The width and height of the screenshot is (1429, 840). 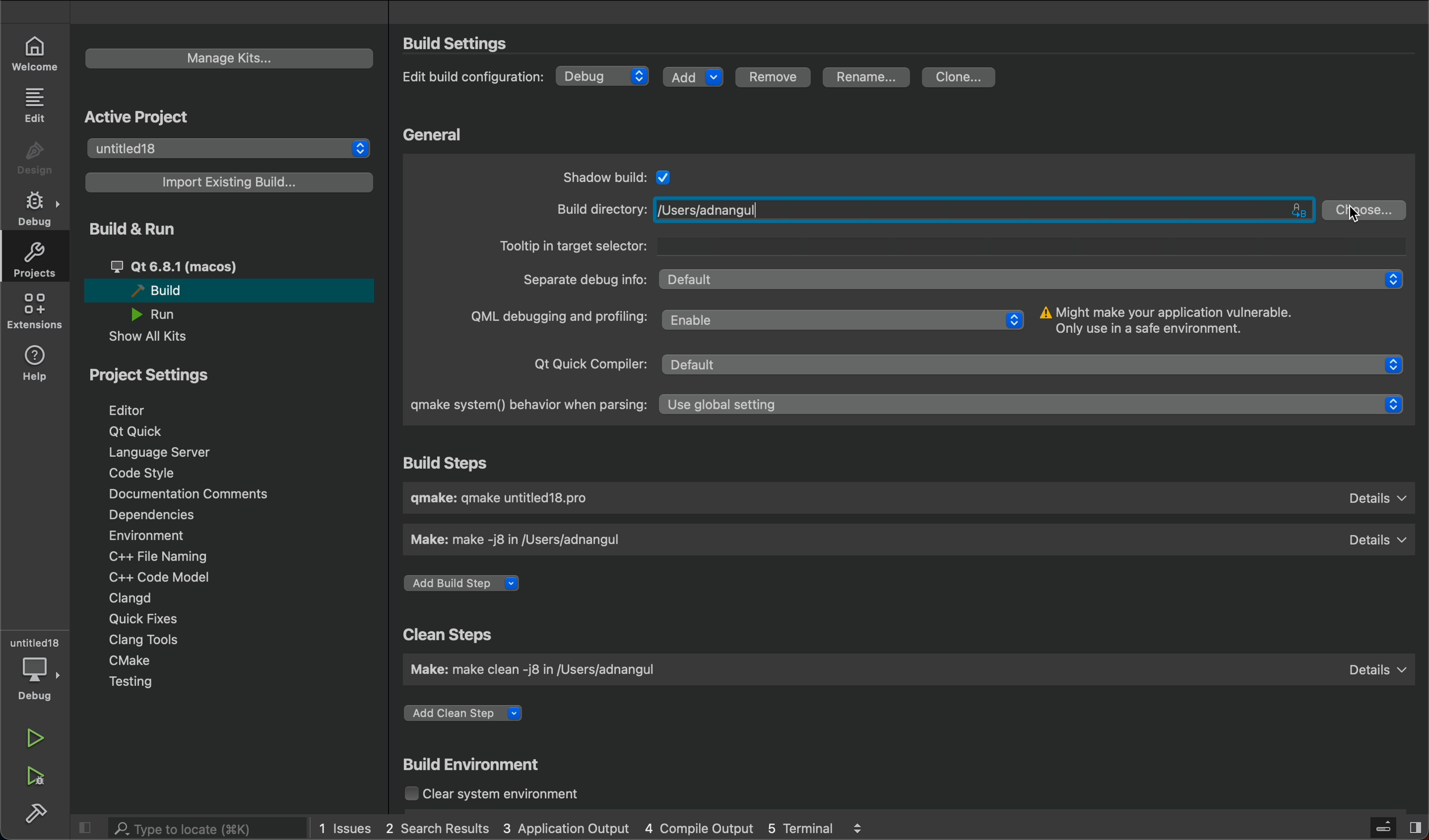 What do you see at coordinates (604, 76) in the screenshot?
I see `Debug ` at bounding box center [604, 76].